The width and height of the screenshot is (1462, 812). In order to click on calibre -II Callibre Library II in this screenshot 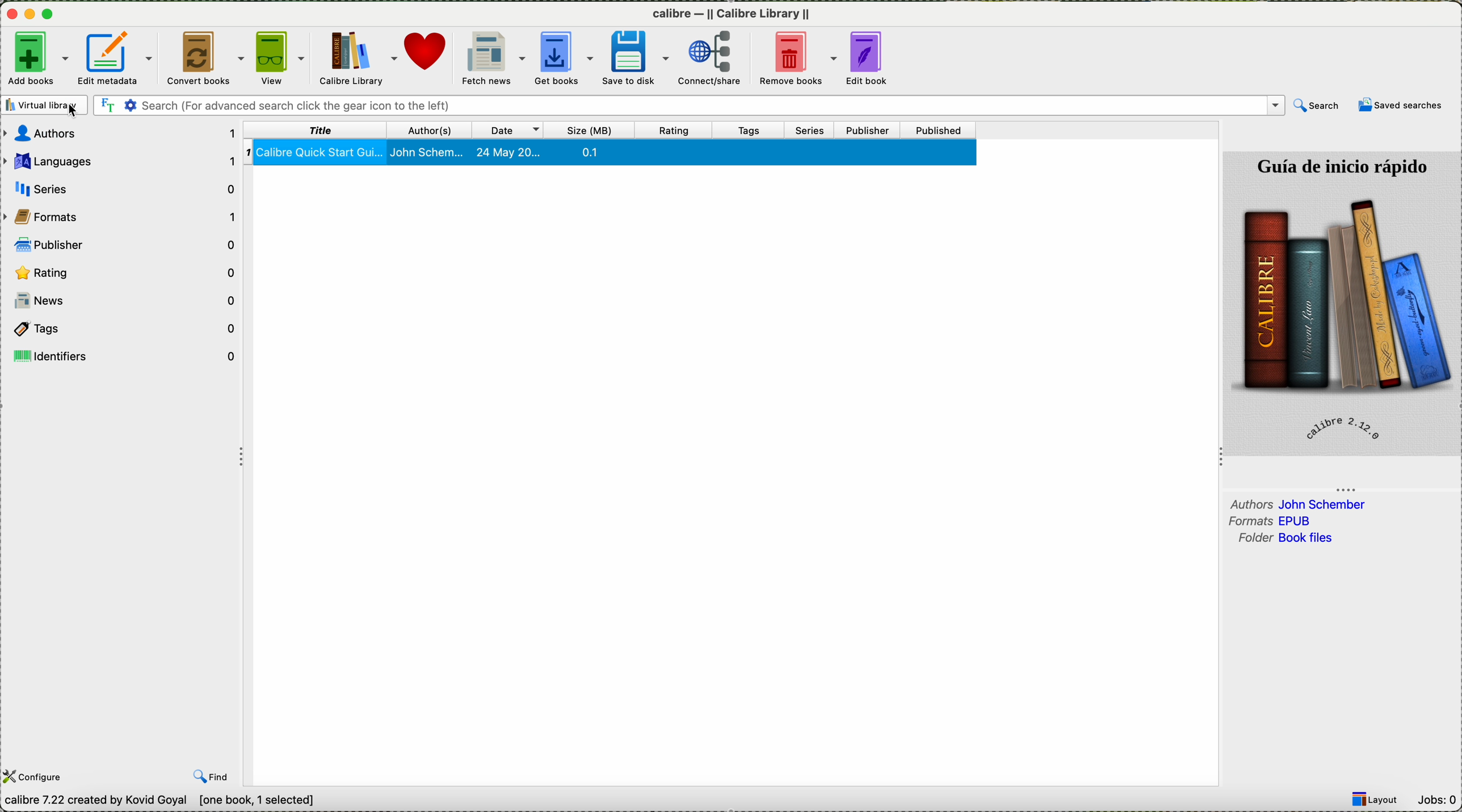, I will do `click(732, 16)`.